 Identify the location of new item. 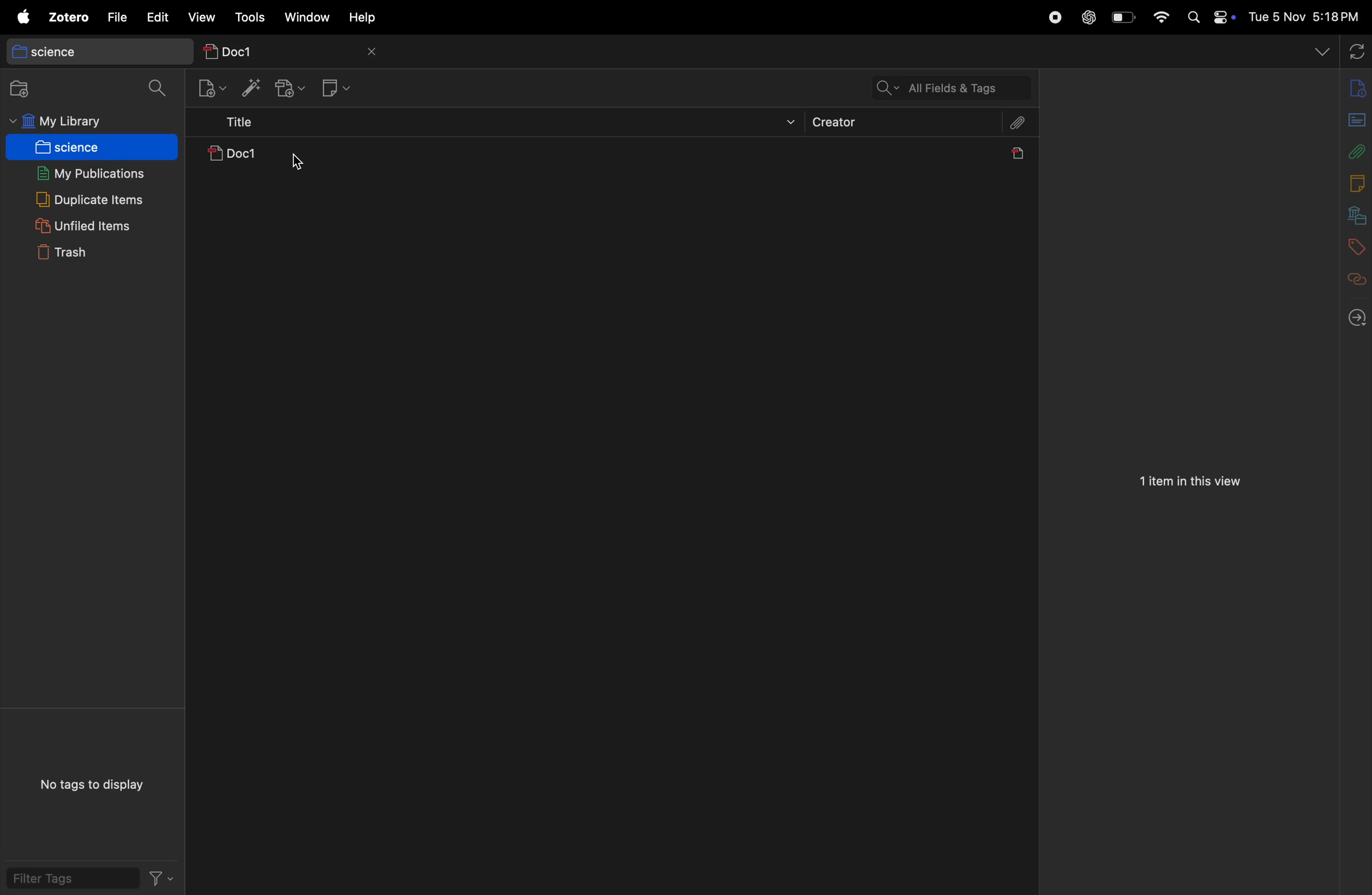
(209, 89).